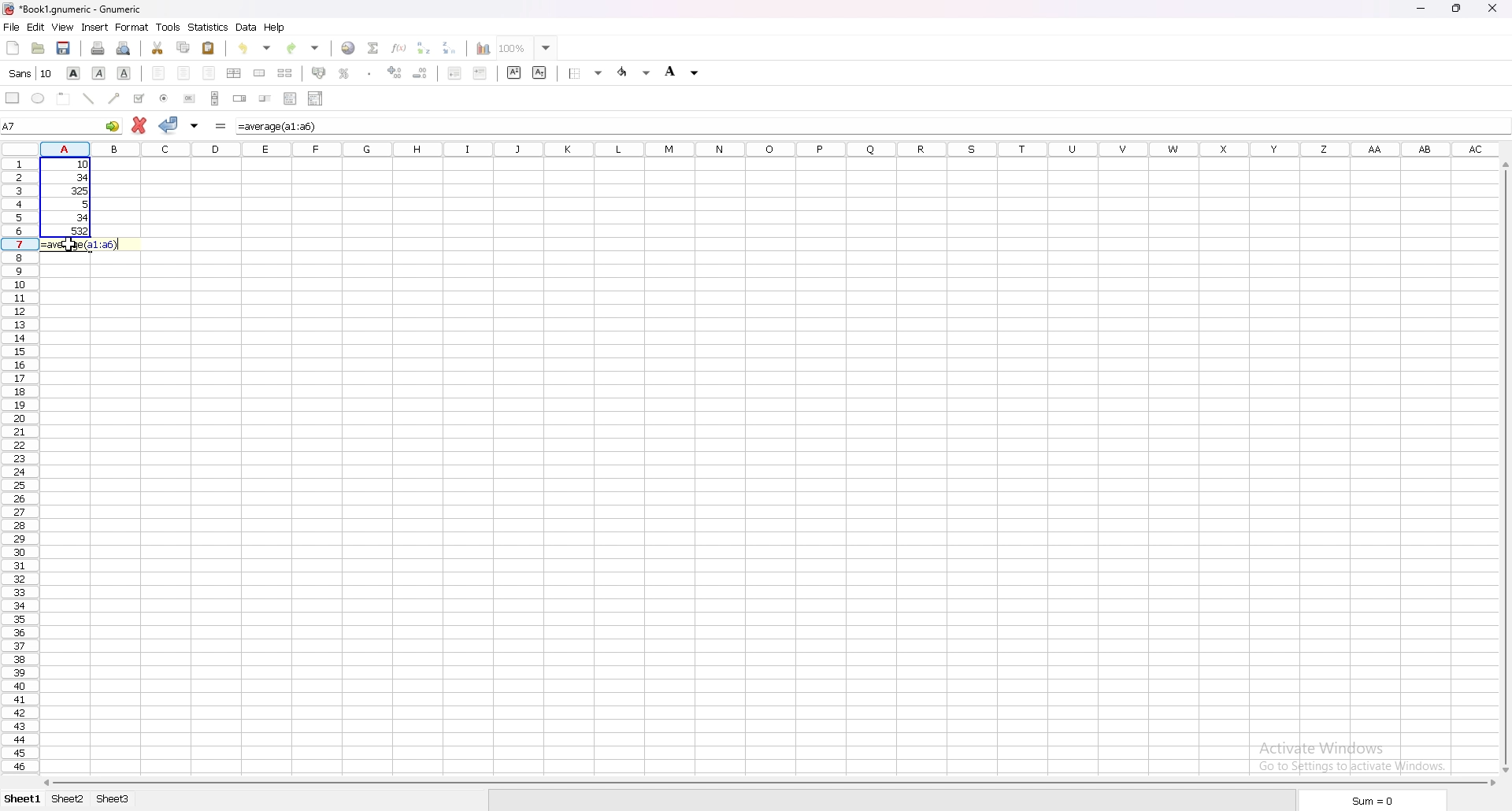 The image size is (1512, 811). What do you see at coordinates (539, 72) in the screenshot?
I see `subscript` at bounding box center [539, 72].